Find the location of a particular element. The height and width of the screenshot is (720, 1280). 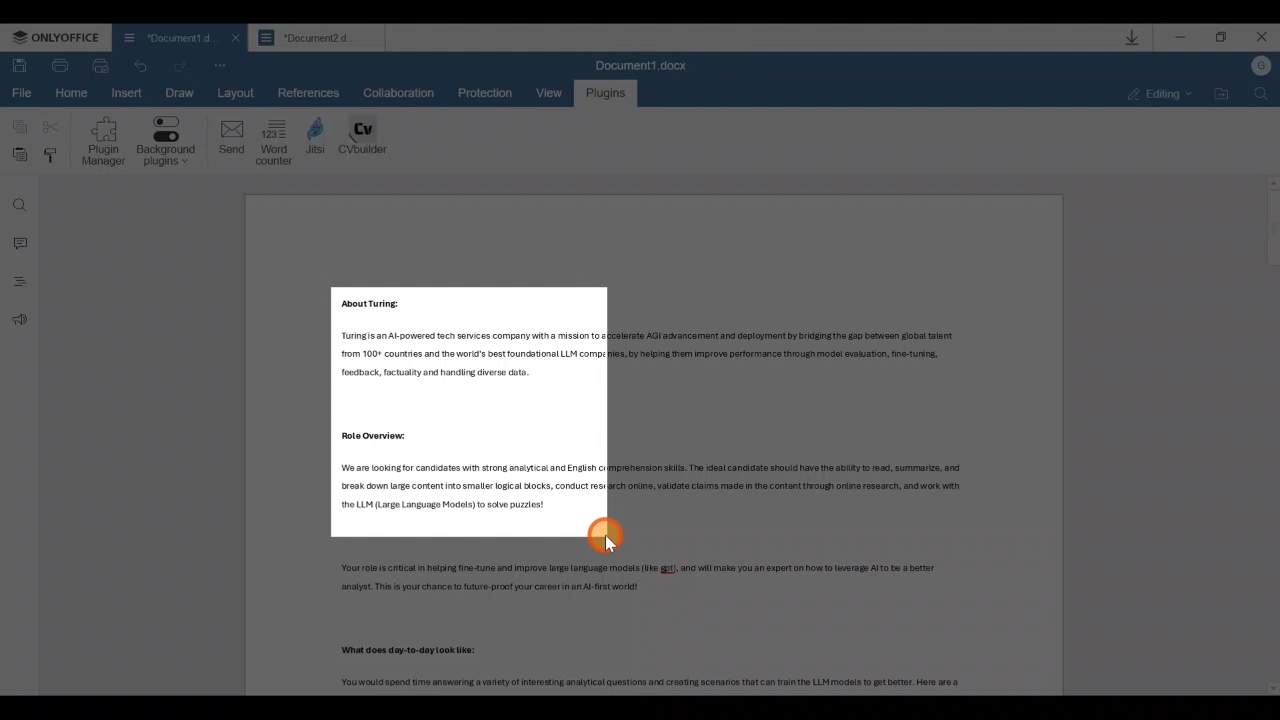

Background plugins is located at coordinates (166, 144).